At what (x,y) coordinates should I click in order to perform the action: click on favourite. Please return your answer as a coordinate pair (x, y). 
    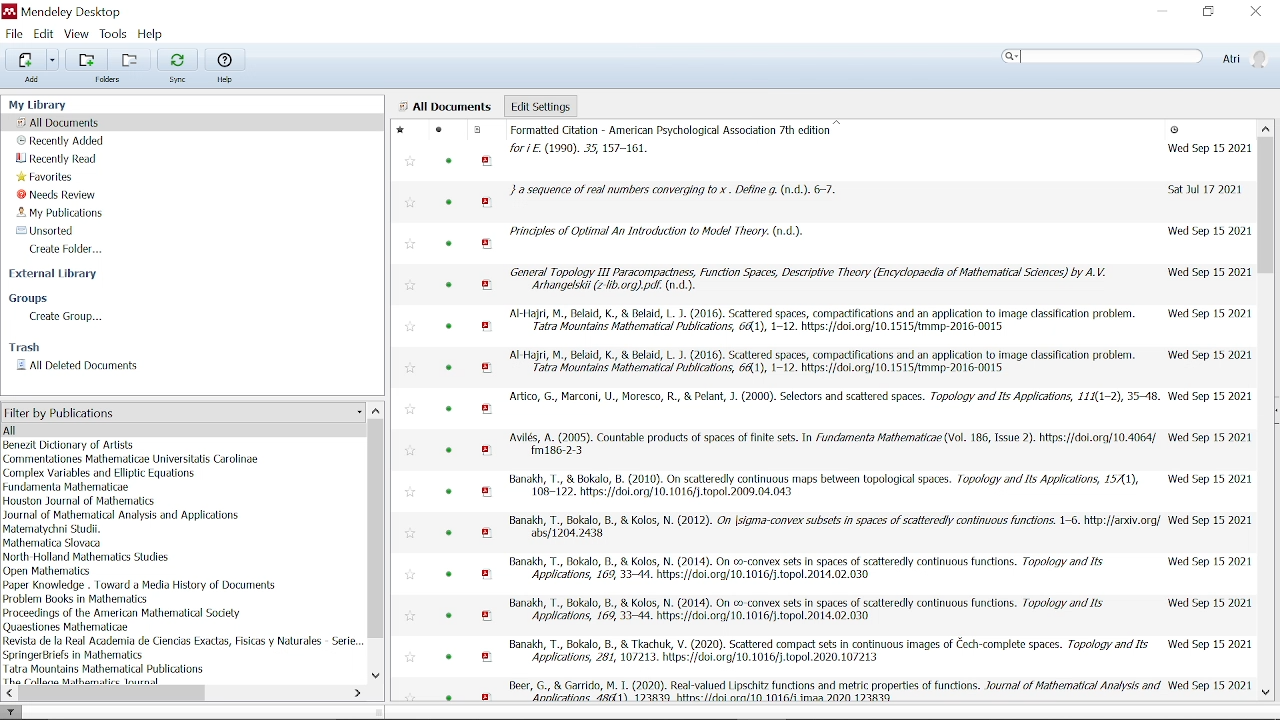
    Looking at the image, I should click on (410, 452).